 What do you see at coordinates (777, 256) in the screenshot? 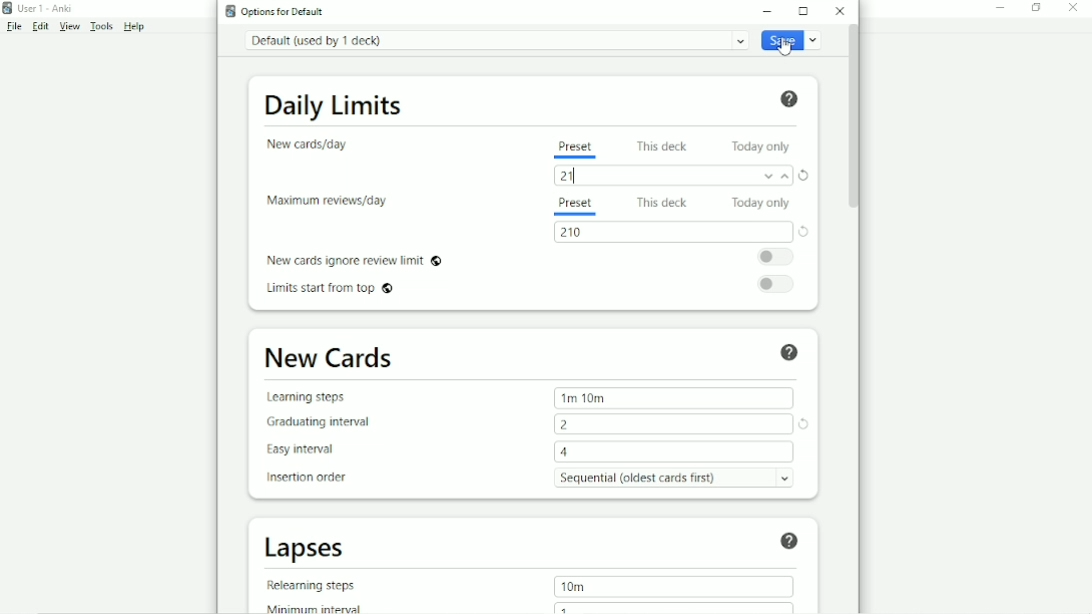
I see `Toggle on/off` at bounding box center [777, 256].